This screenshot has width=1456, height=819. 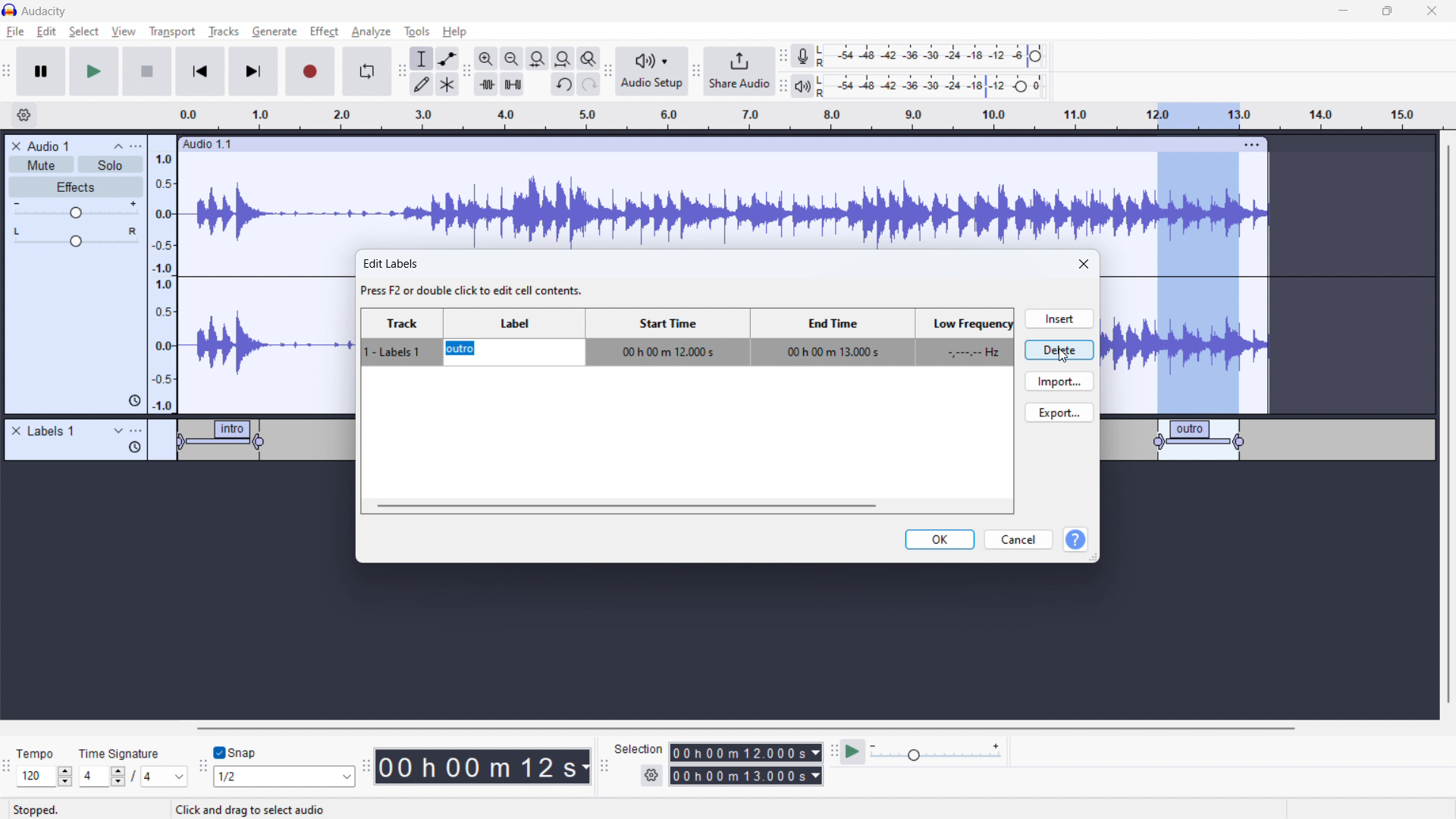 I want to click on fit selction to width, so click(x=538, y=59).